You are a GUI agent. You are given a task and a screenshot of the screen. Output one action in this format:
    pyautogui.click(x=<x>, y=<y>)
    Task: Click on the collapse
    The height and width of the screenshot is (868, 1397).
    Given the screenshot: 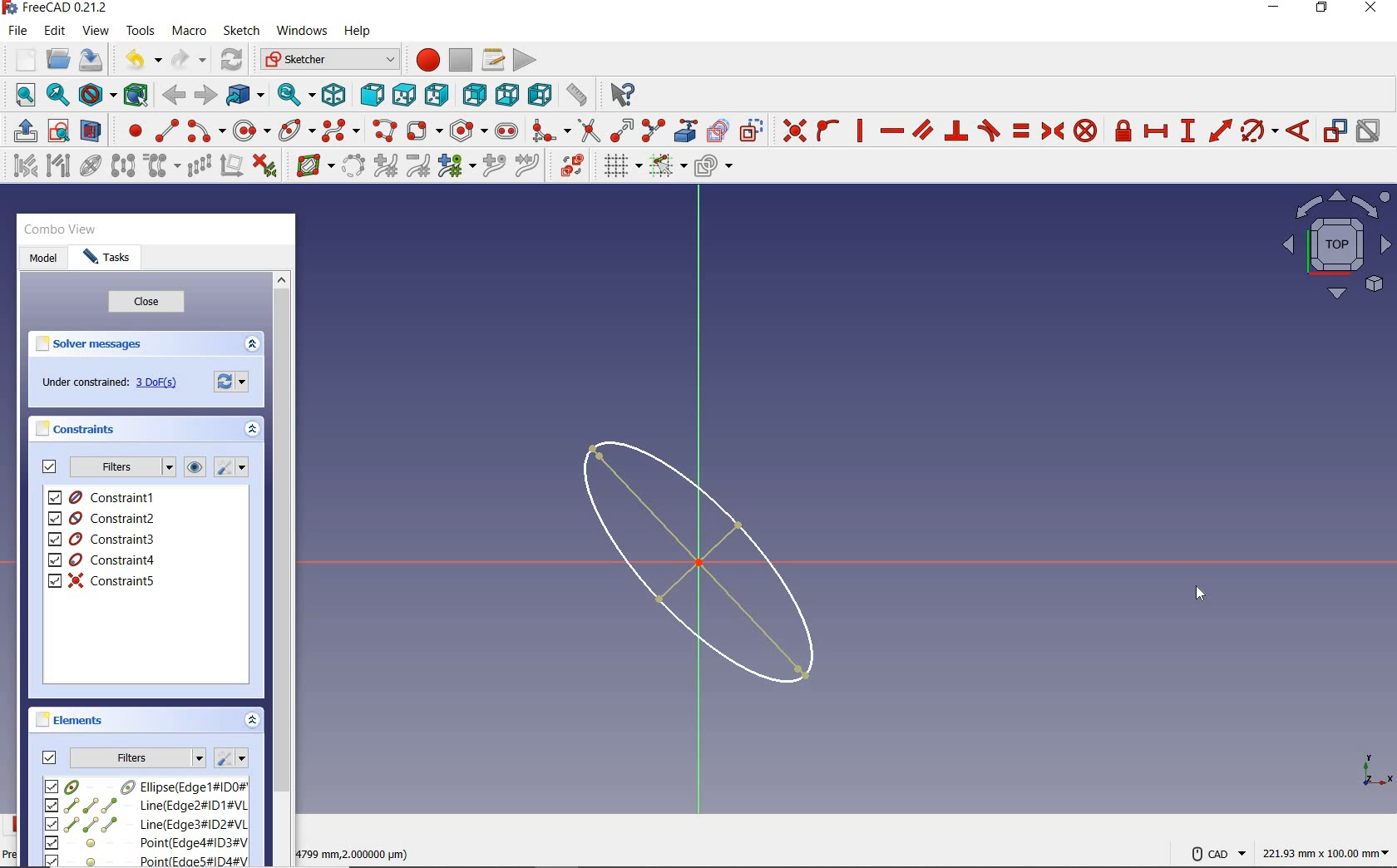 What is the action you would take?
    pyautogui.click(x=251, y=345)
    